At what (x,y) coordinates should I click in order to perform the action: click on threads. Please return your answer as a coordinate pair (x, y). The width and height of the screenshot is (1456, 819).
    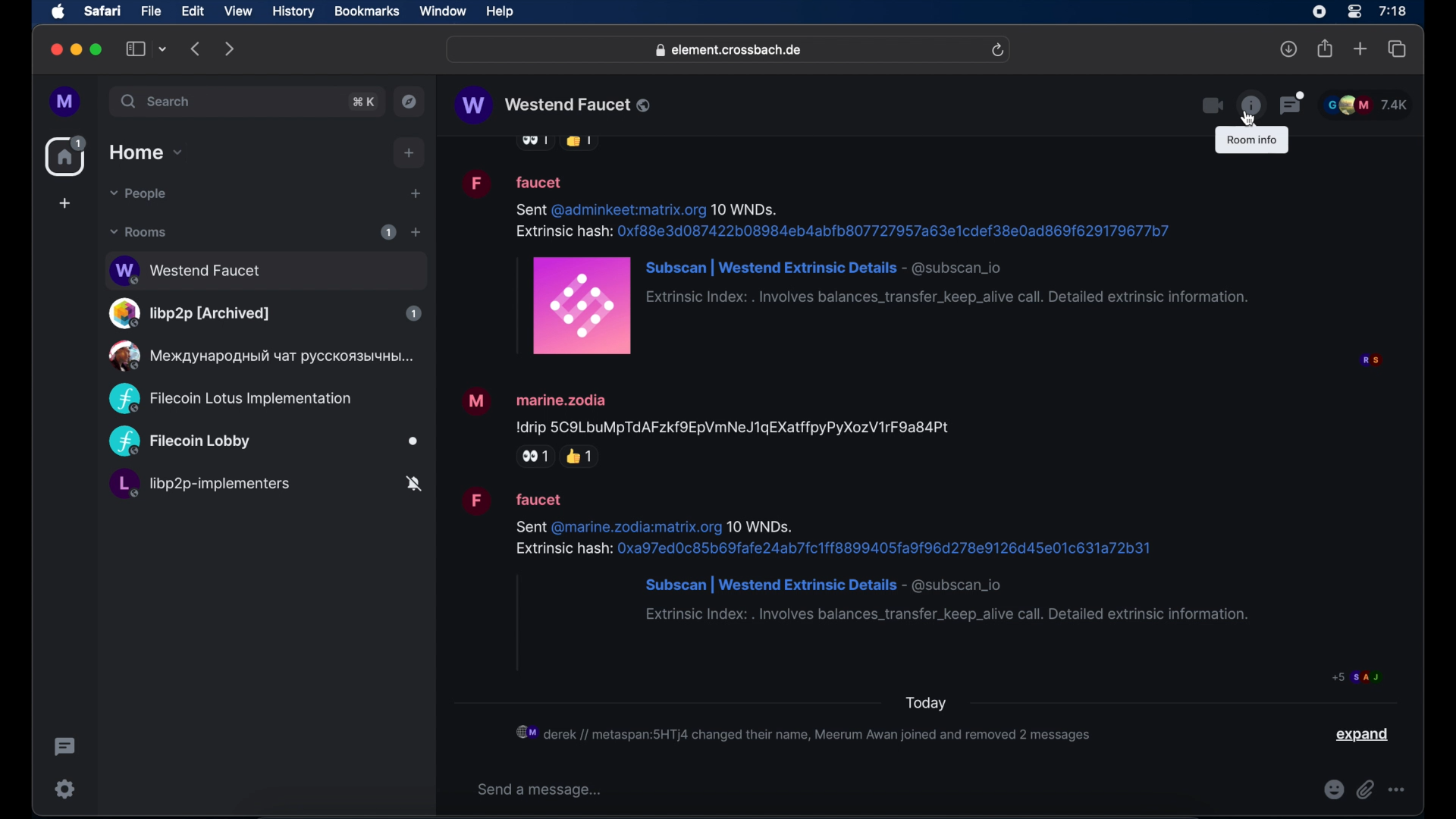
    Looking at the image, I should click on (1293, 103).